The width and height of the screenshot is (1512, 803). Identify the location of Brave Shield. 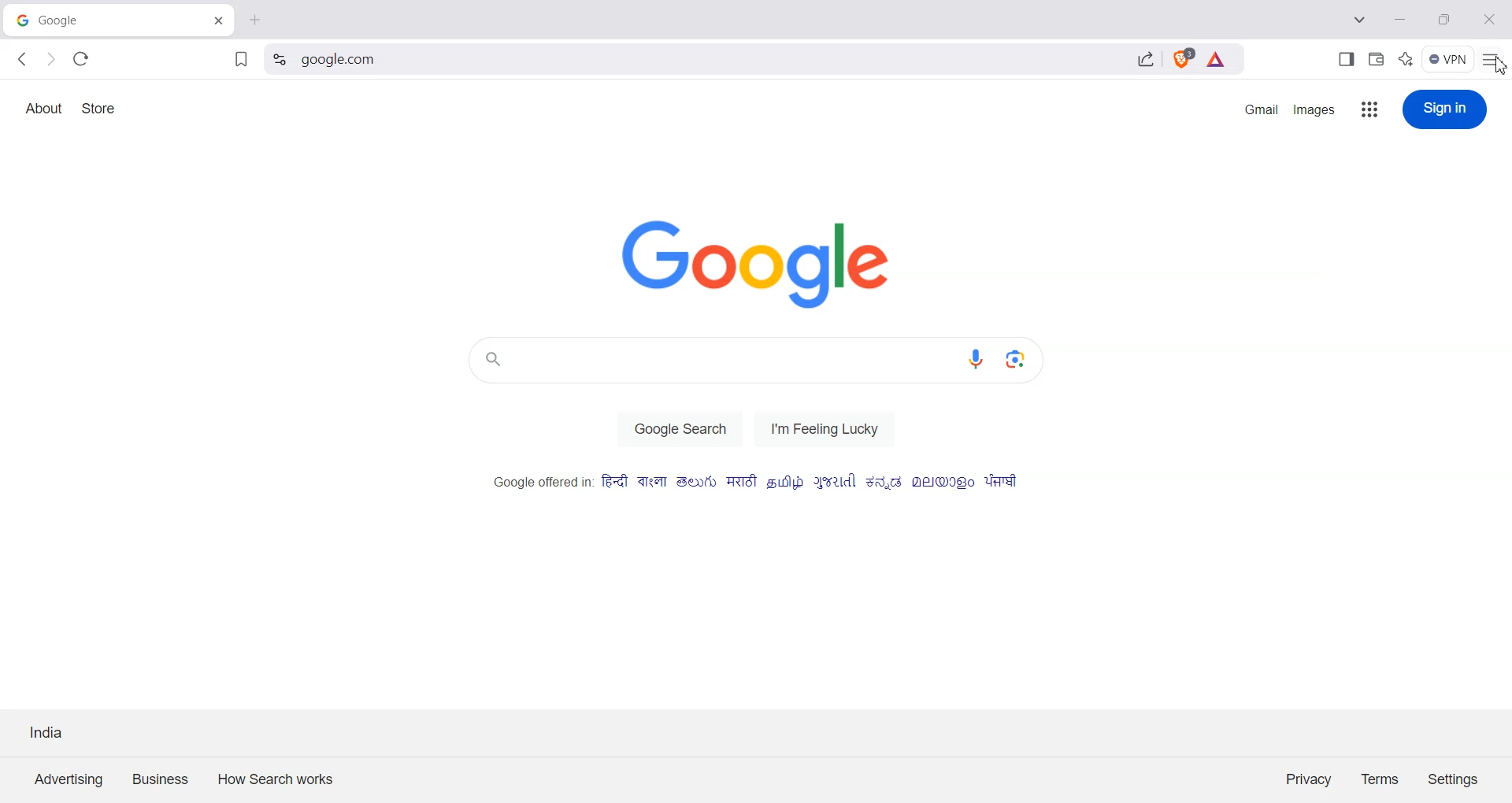
(1181, 61).